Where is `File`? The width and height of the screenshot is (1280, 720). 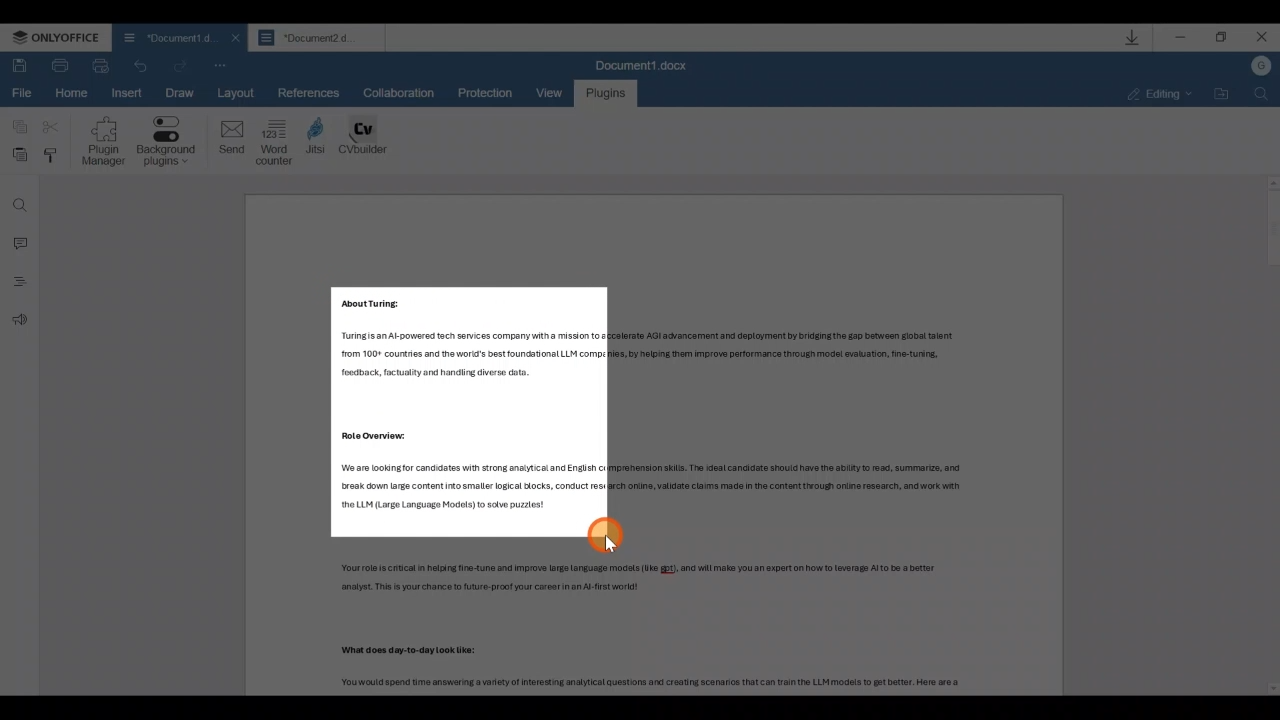
File is located at coordinates (25, 95).